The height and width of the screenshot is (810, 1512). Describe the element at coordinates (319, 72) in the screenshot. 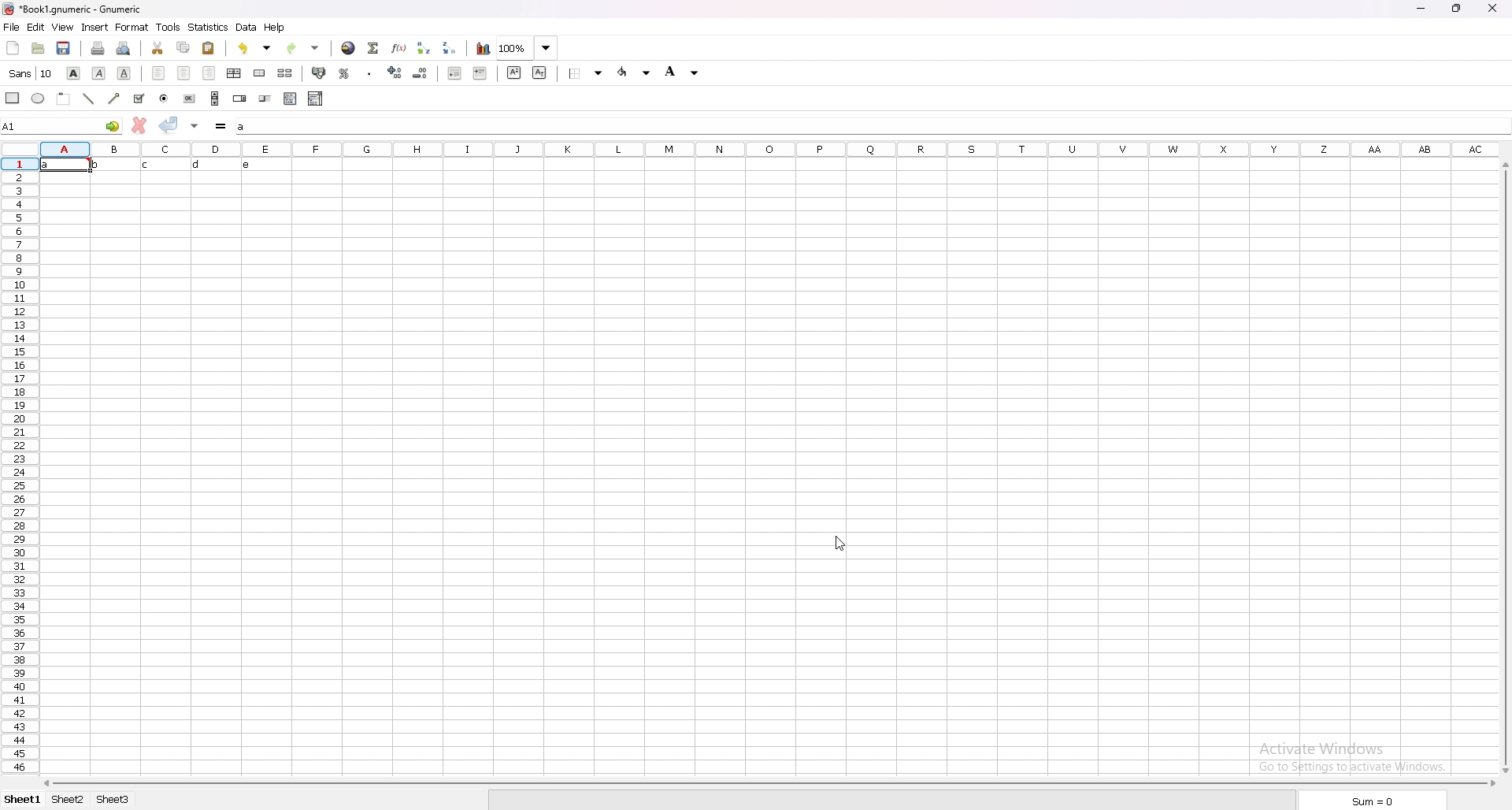

I see `accounting` at that location.